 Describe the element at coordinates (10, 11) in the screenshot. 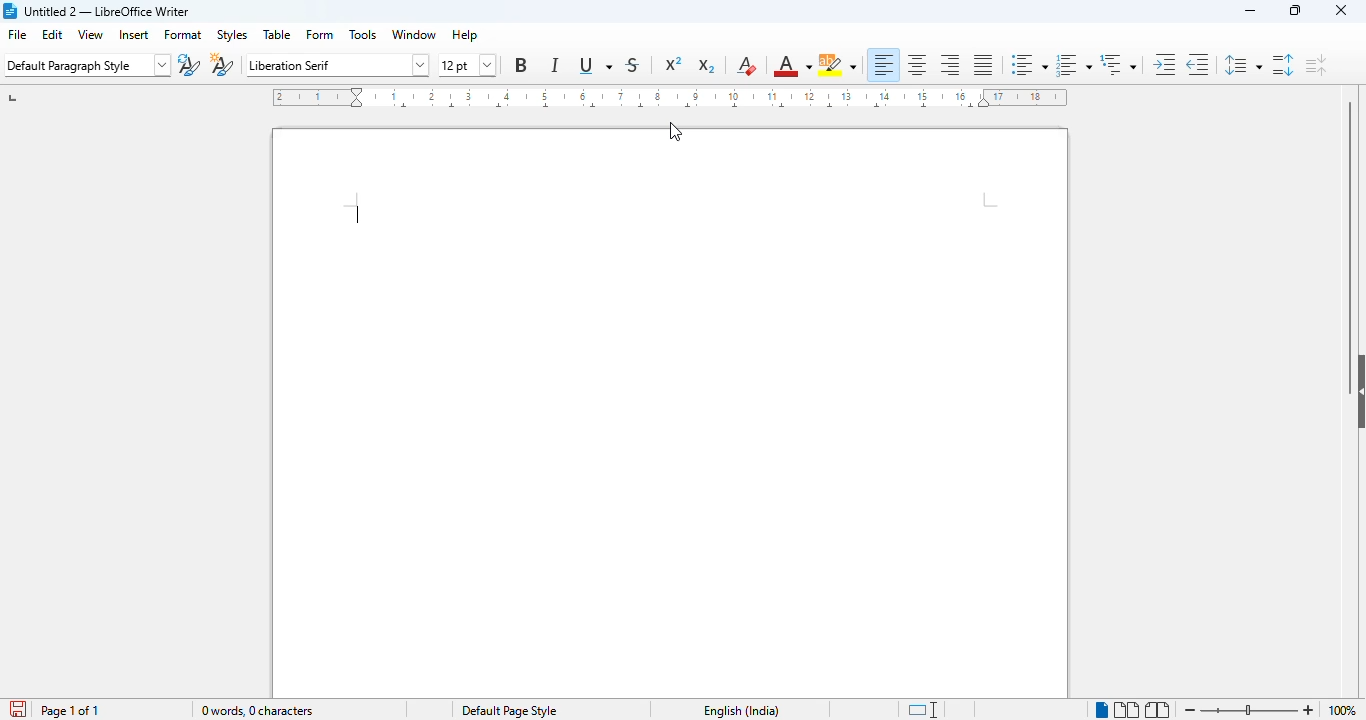

I see `logo` at that location.